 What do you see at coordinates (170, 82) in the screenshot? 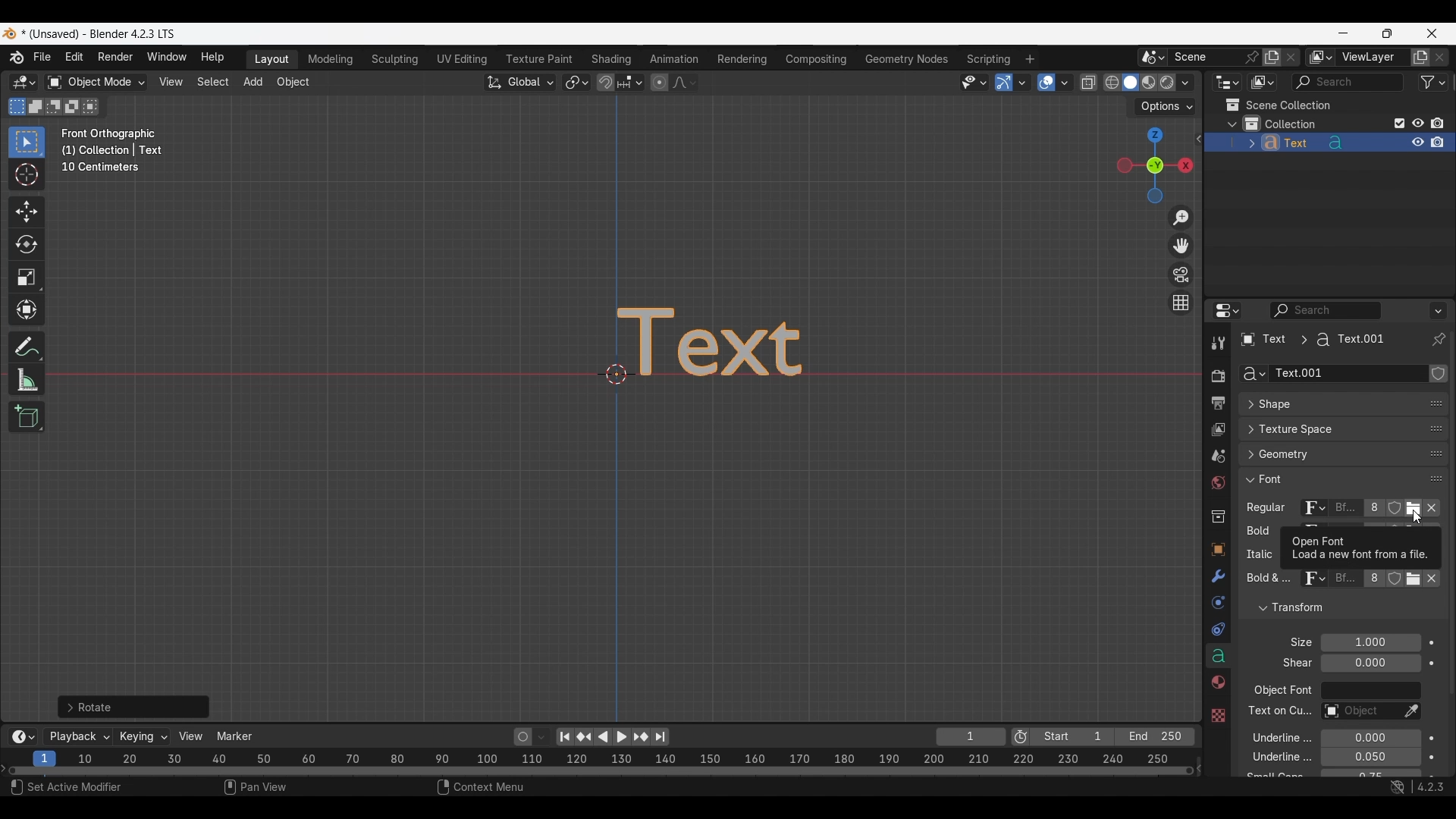
I see `View menu` at bounding box center [170, 82].